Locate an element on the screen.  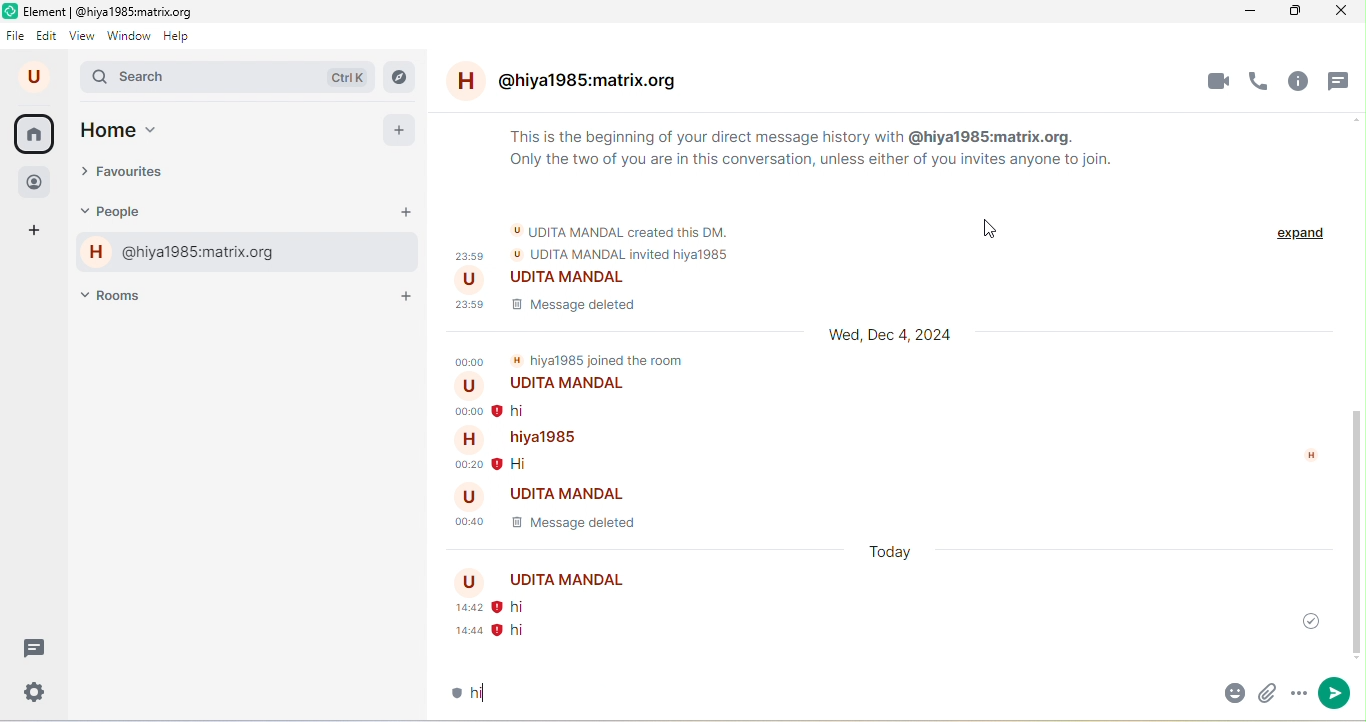
hiya1985 joined the room is located at coordinates (600, 357).